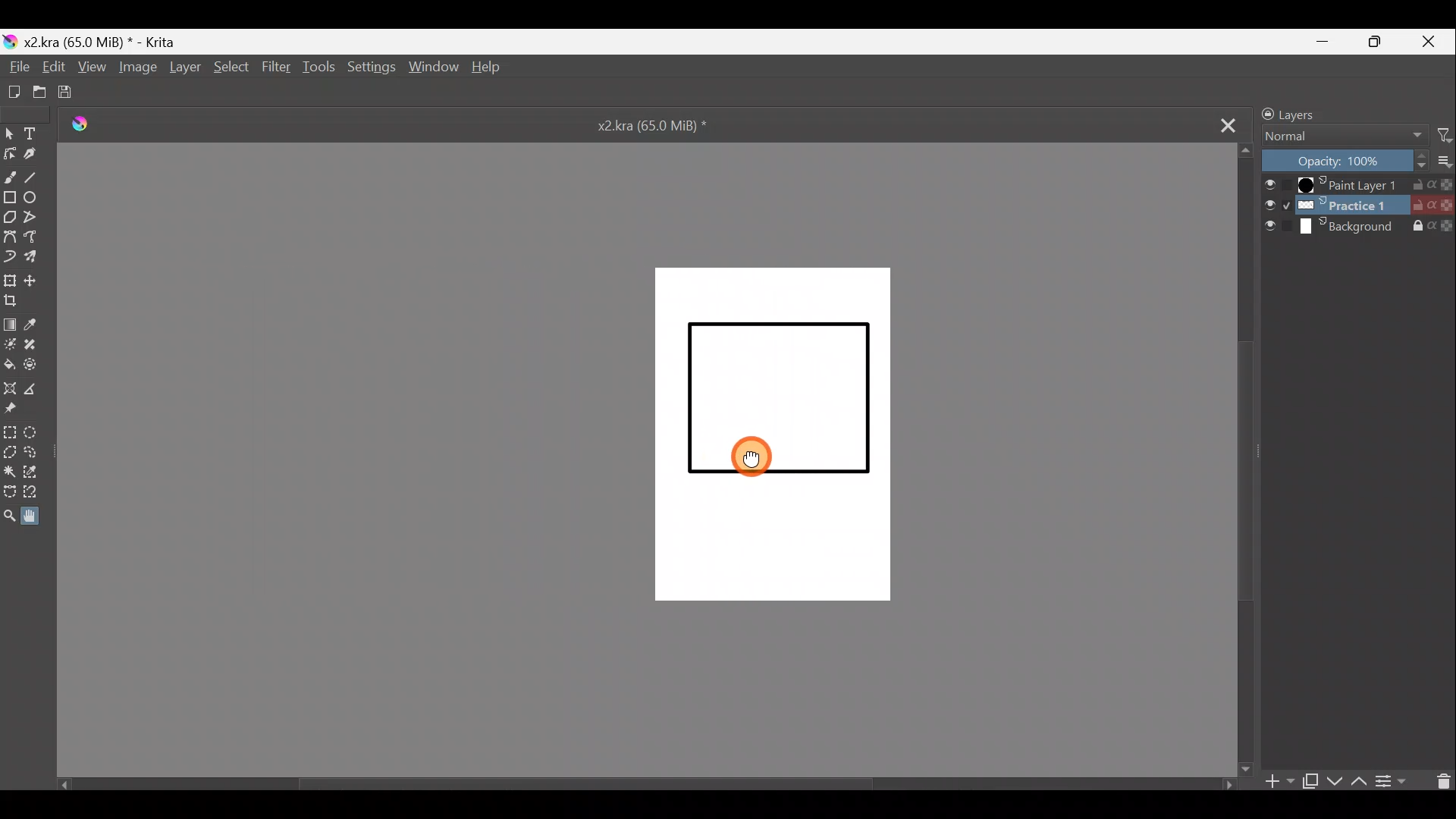 The height and width of the screenshot is (819, 1456). What do you see at coordinates (96, 42) in the screenshot?
I see `) x2kra (65.0 MiB) * - Krita` at bounding box center [96, 42].